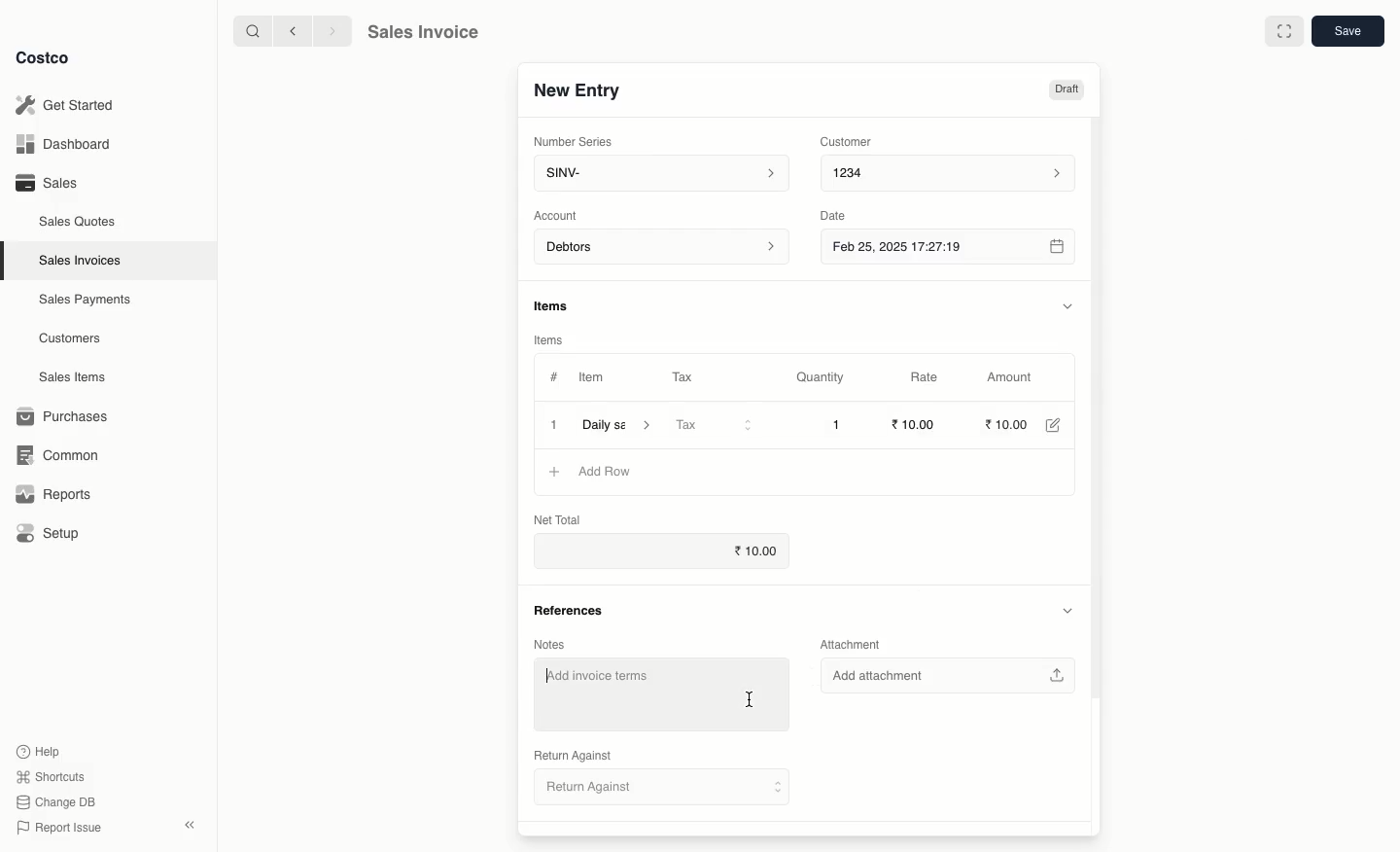 This screenshot has height=852, width=1400. Describe the element at coordinates (556, 304) in the screenshot. I see `` at that location.